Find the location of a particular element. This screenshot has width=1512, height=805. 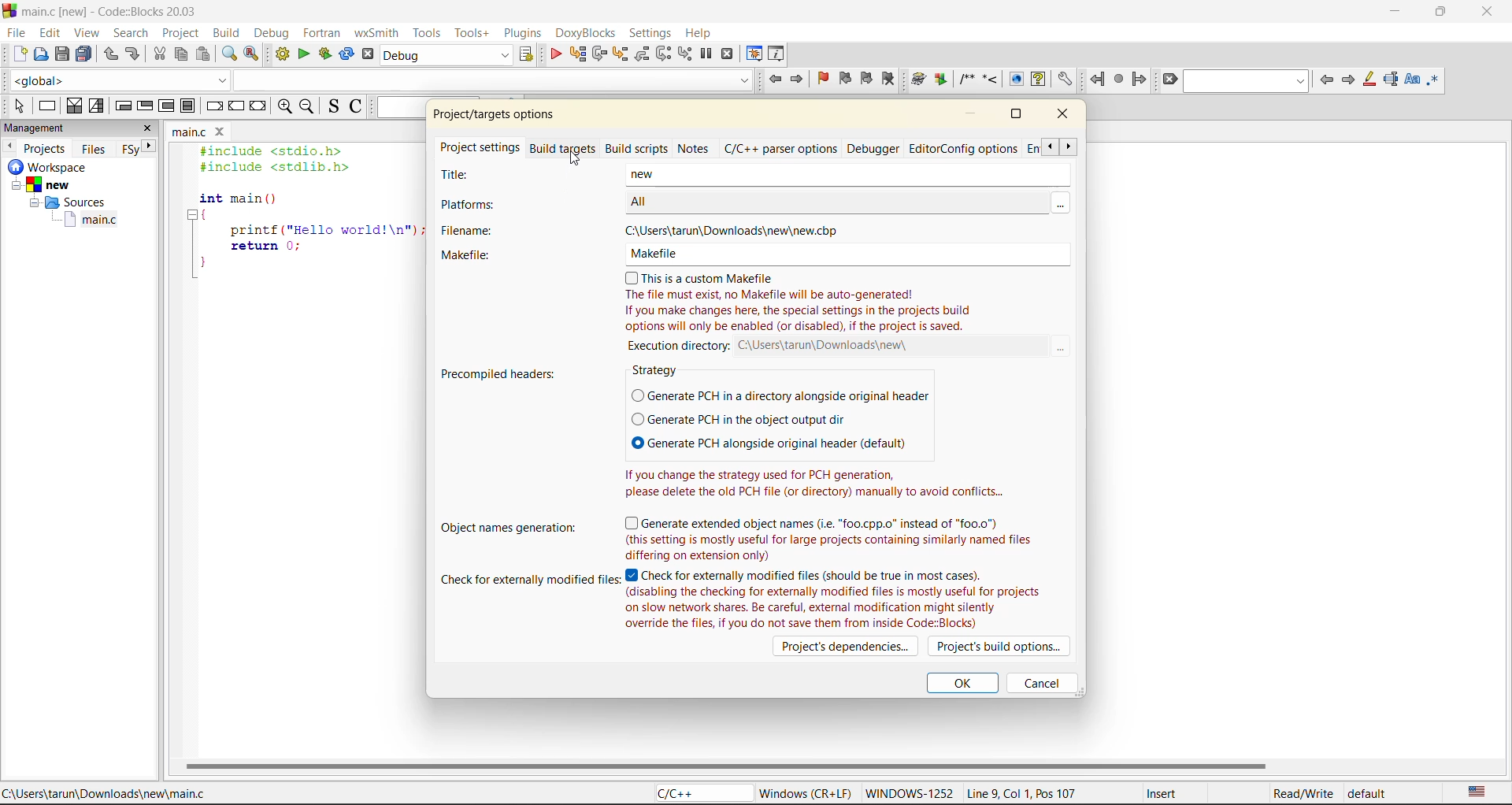

build targets is located at coordinates (565, 150).